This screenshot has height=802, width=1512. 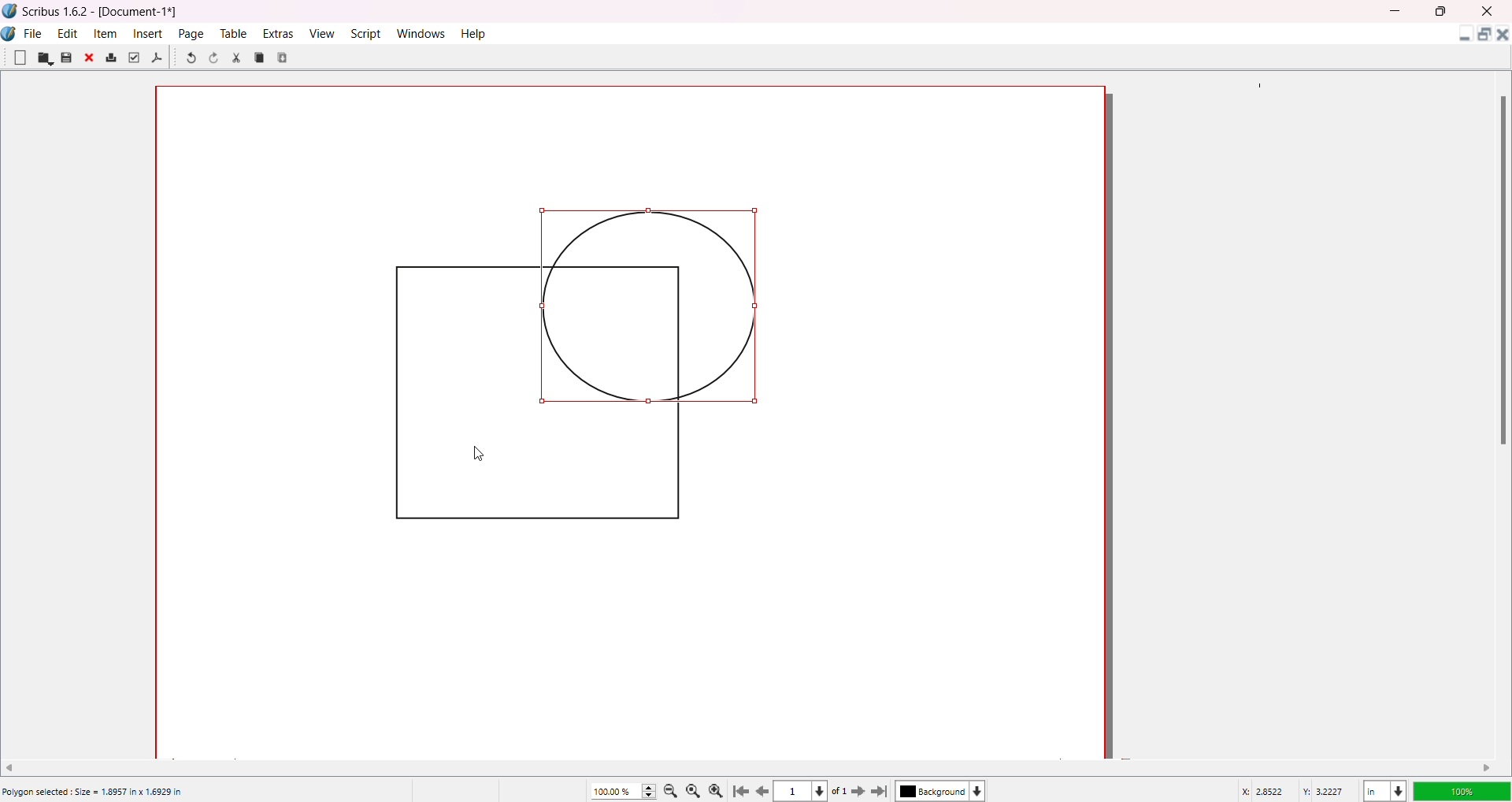 What do you see at coordinates (20, 57) in the screenshot?
I see `New` at bounding box center [20, 57].